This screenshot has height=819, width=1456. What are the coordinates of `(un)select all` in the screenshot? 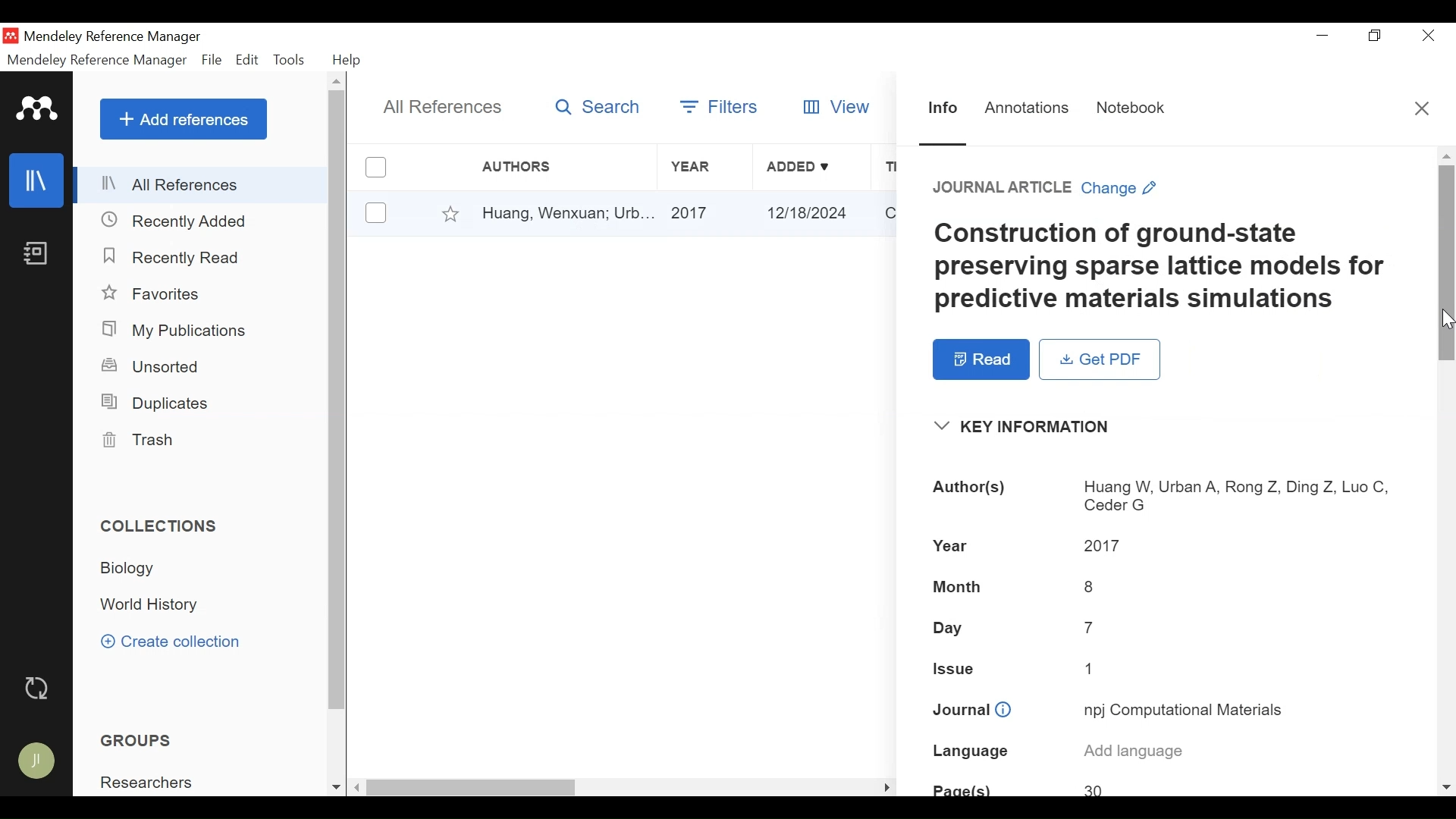 It's located at (375, 167).